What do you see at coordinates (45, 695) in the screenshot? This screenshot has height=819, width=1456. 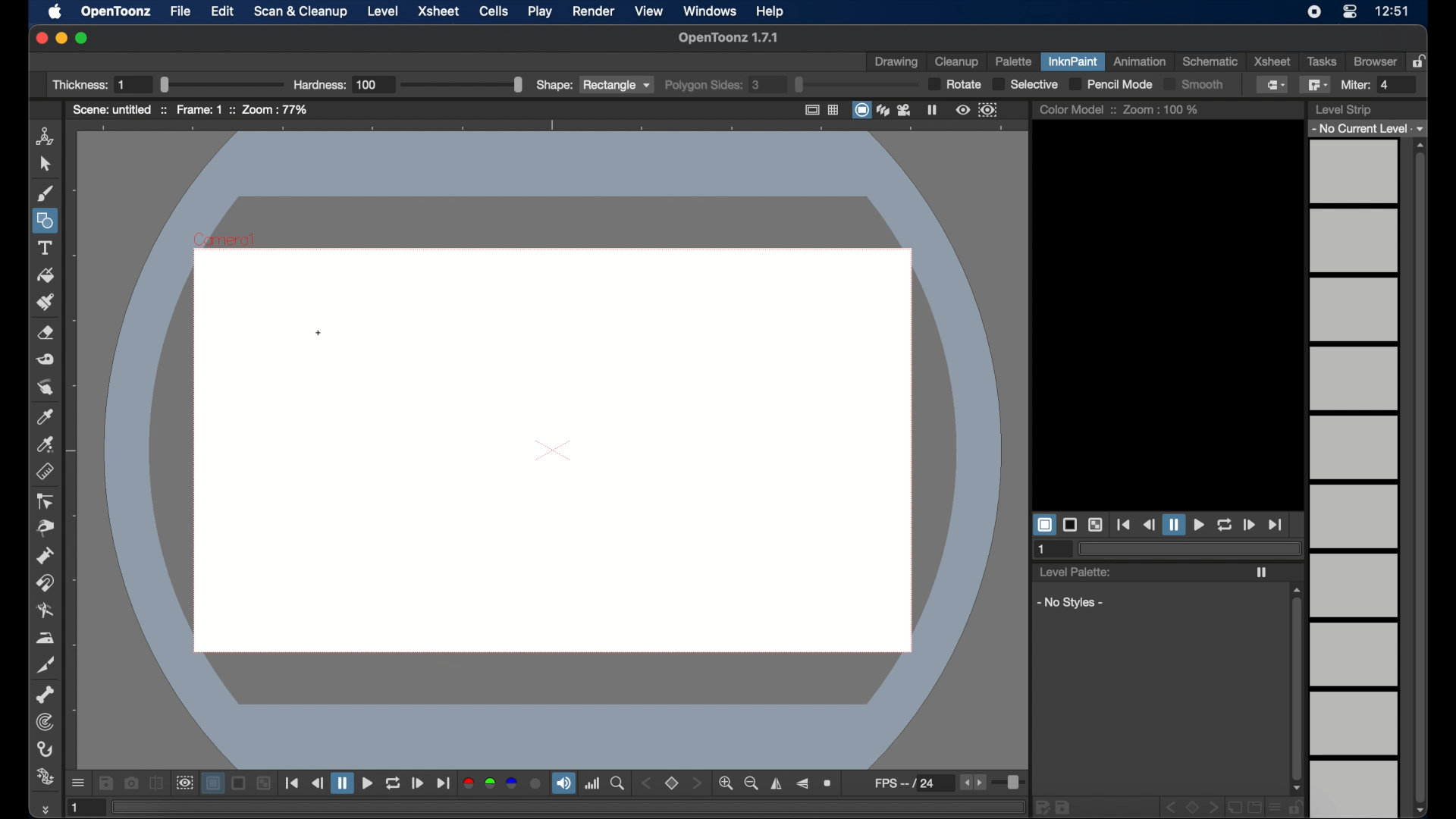 I see `skeleton tool` at bounding box center [45, 695].